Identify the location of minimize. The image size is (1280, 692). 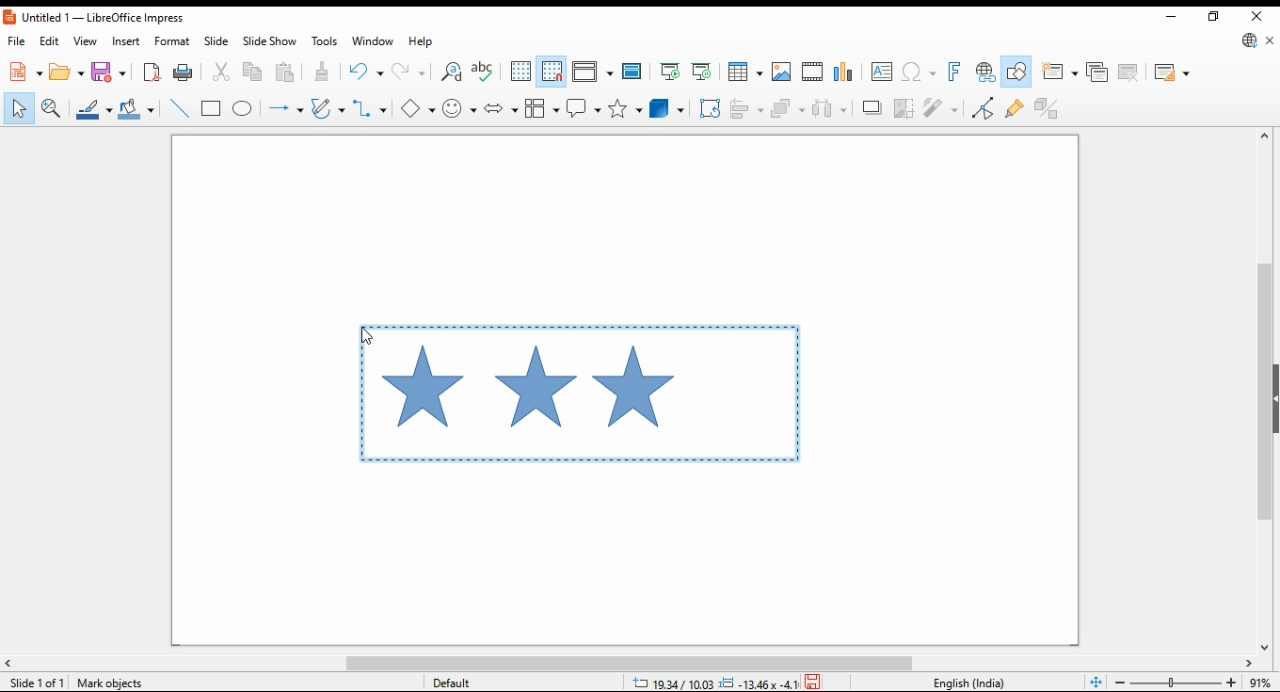
(1176, 17).